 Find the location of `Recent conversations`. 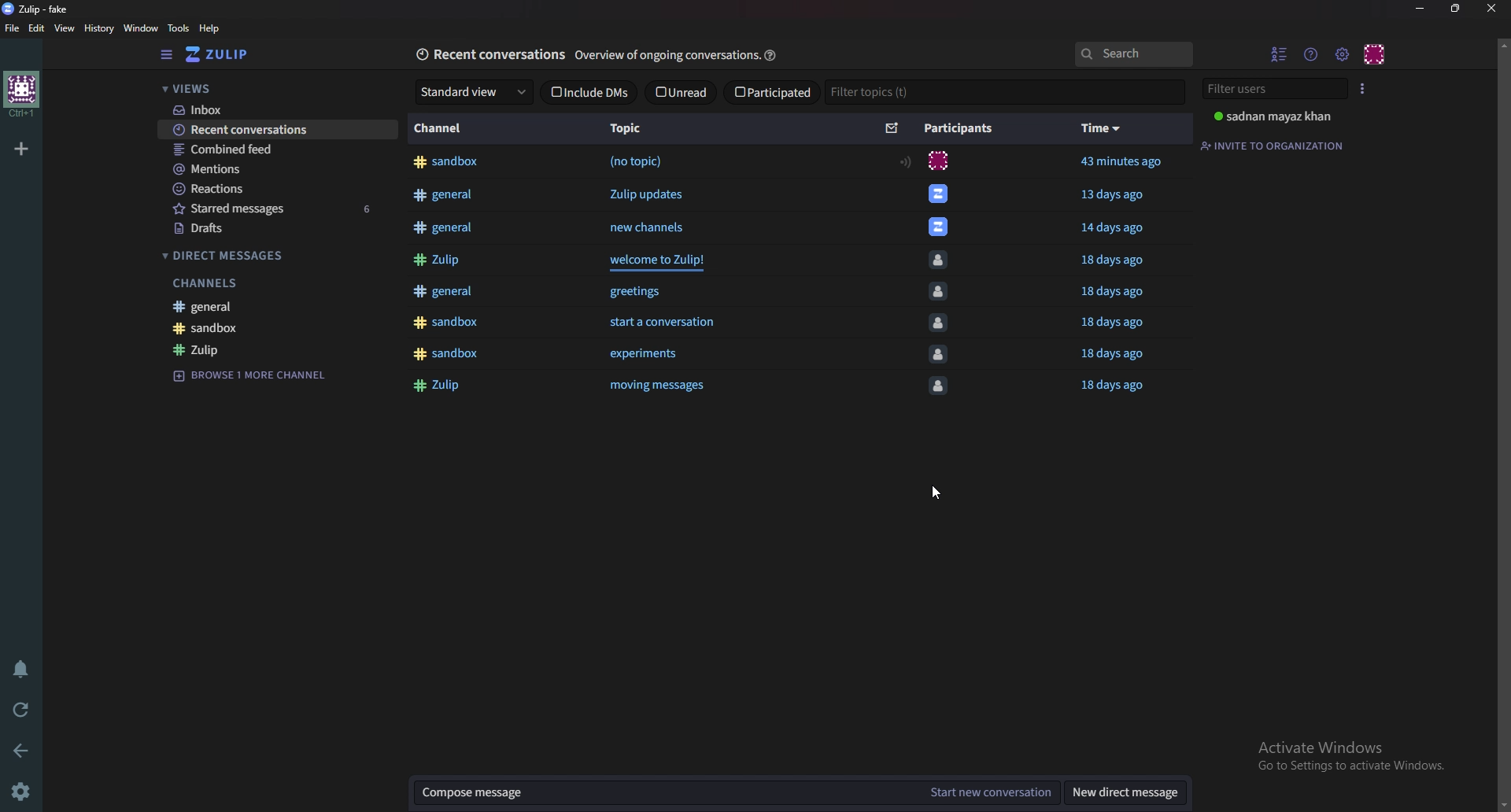

Recent conversations is located at coordinates (489, 54).